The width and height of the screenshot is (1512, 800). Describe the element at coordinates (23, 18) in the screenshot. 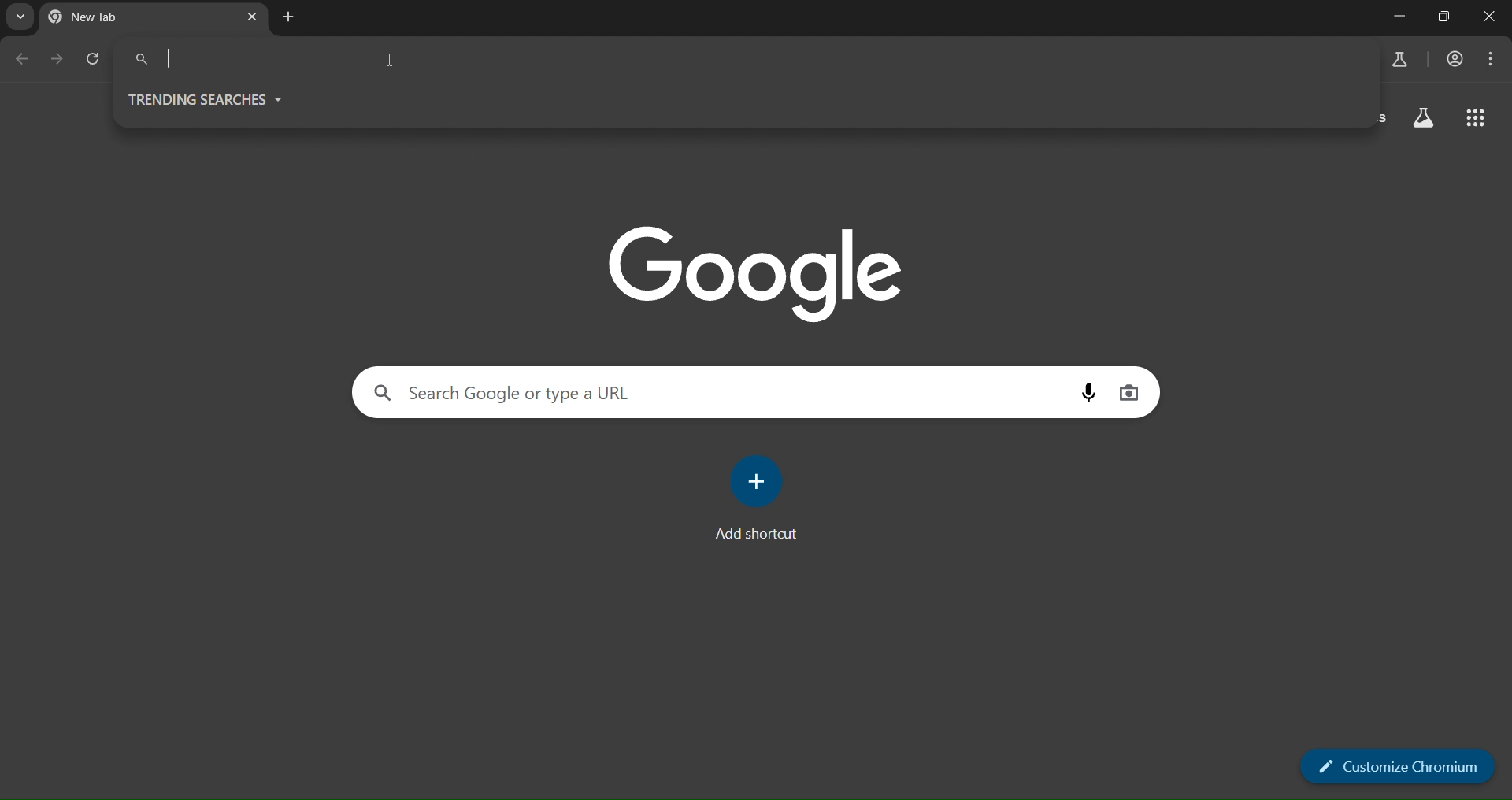

I see `search tabs` at that location.